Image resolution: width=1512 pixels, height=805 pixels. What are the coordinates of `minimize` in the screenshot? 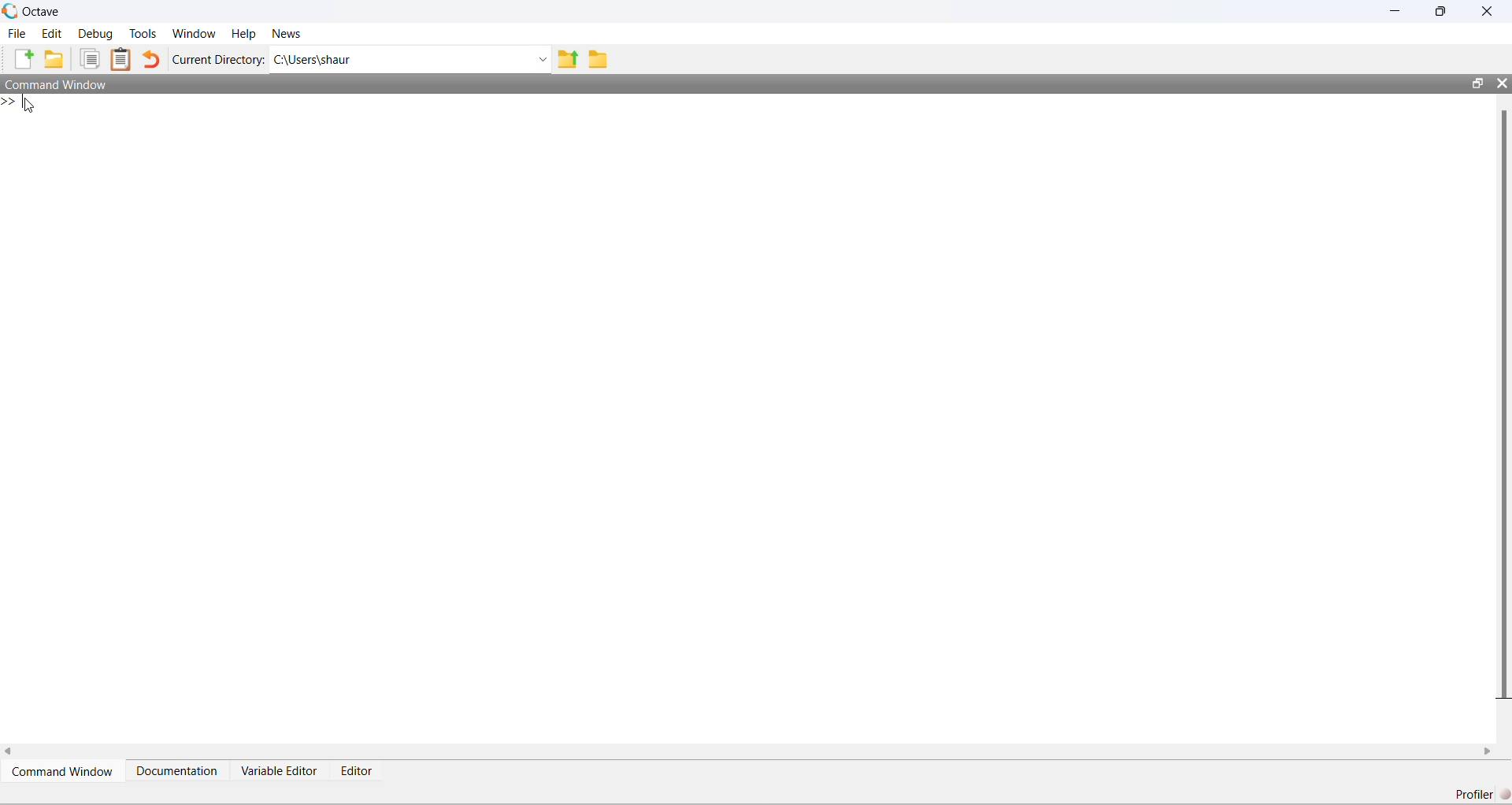 It's located at (1395, 10).